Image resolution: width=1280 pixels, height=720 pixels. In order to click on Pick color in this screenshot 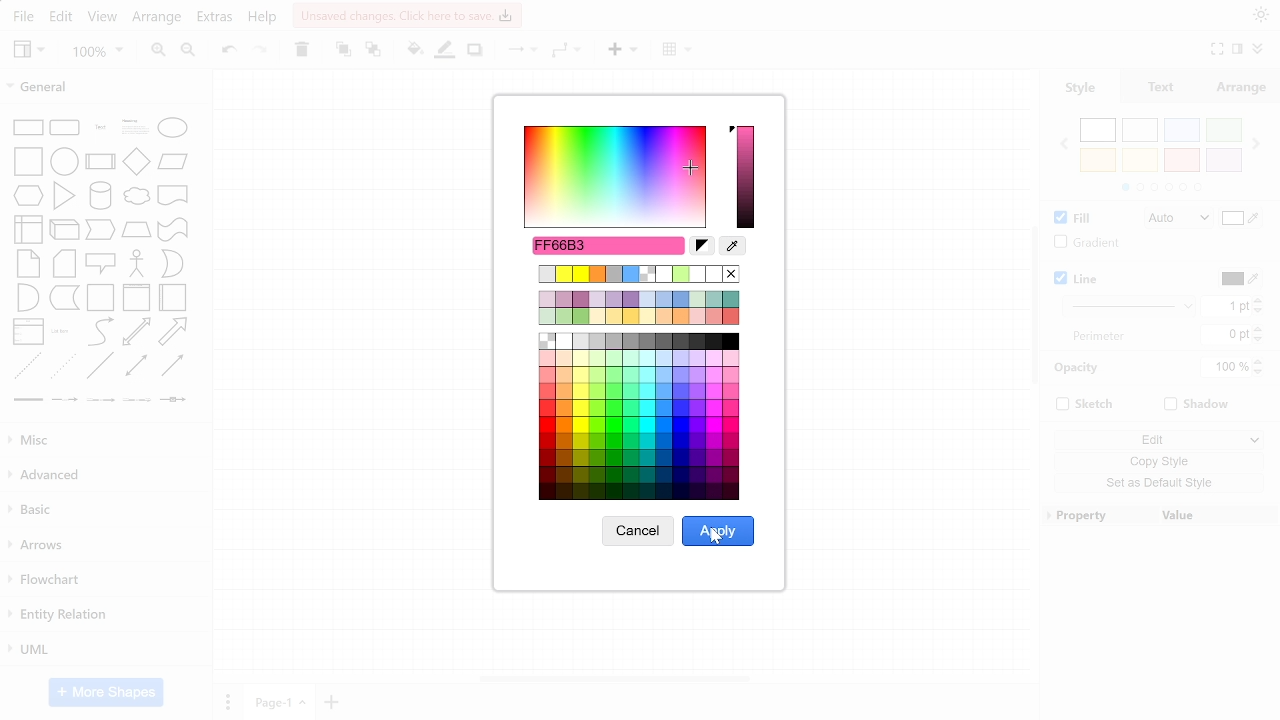, I will do `click(730, 247)`.